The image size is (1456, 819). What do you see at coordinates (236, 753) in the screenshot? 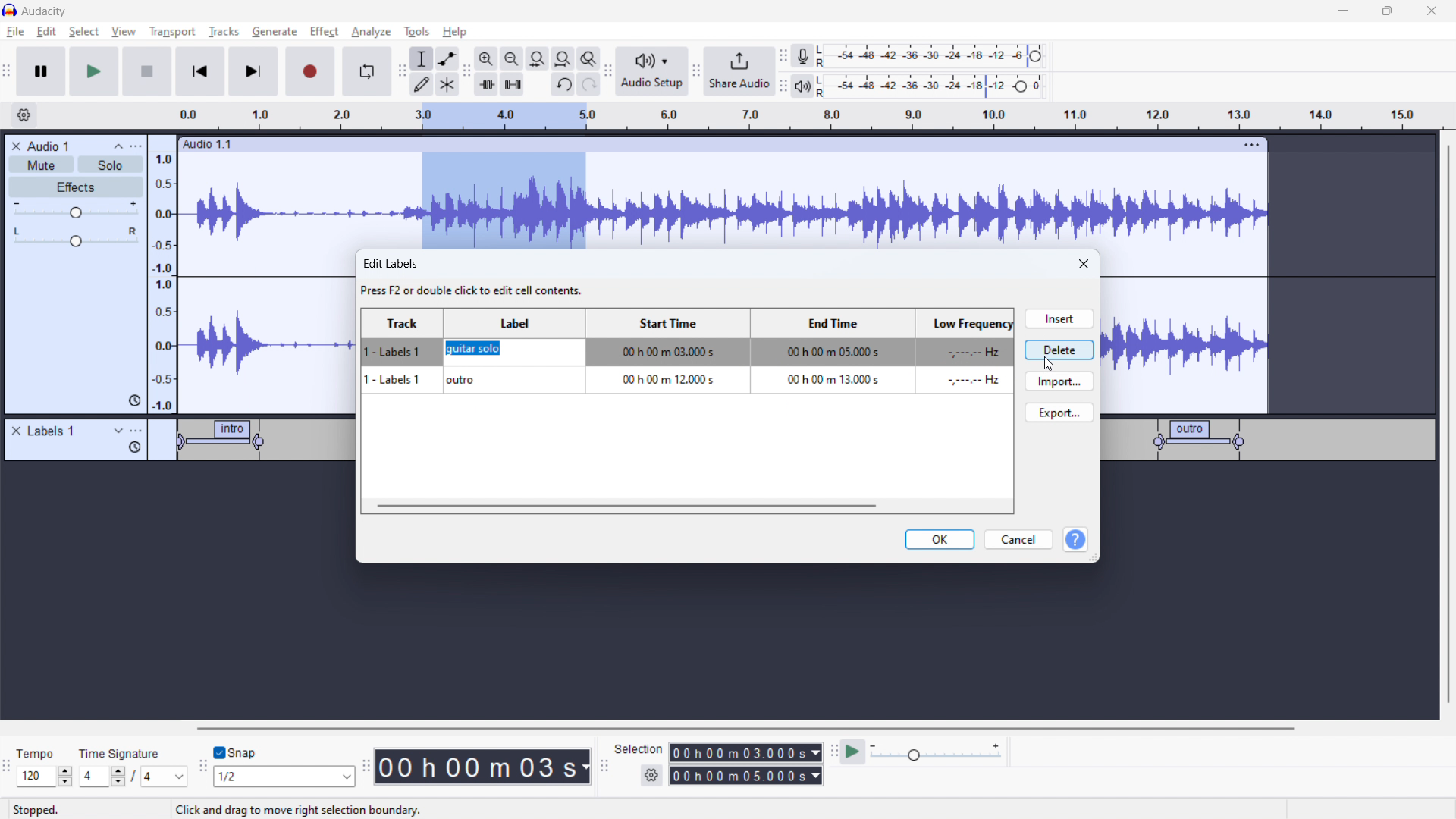
I see `toggle snap` at bounding box center [236, 753].